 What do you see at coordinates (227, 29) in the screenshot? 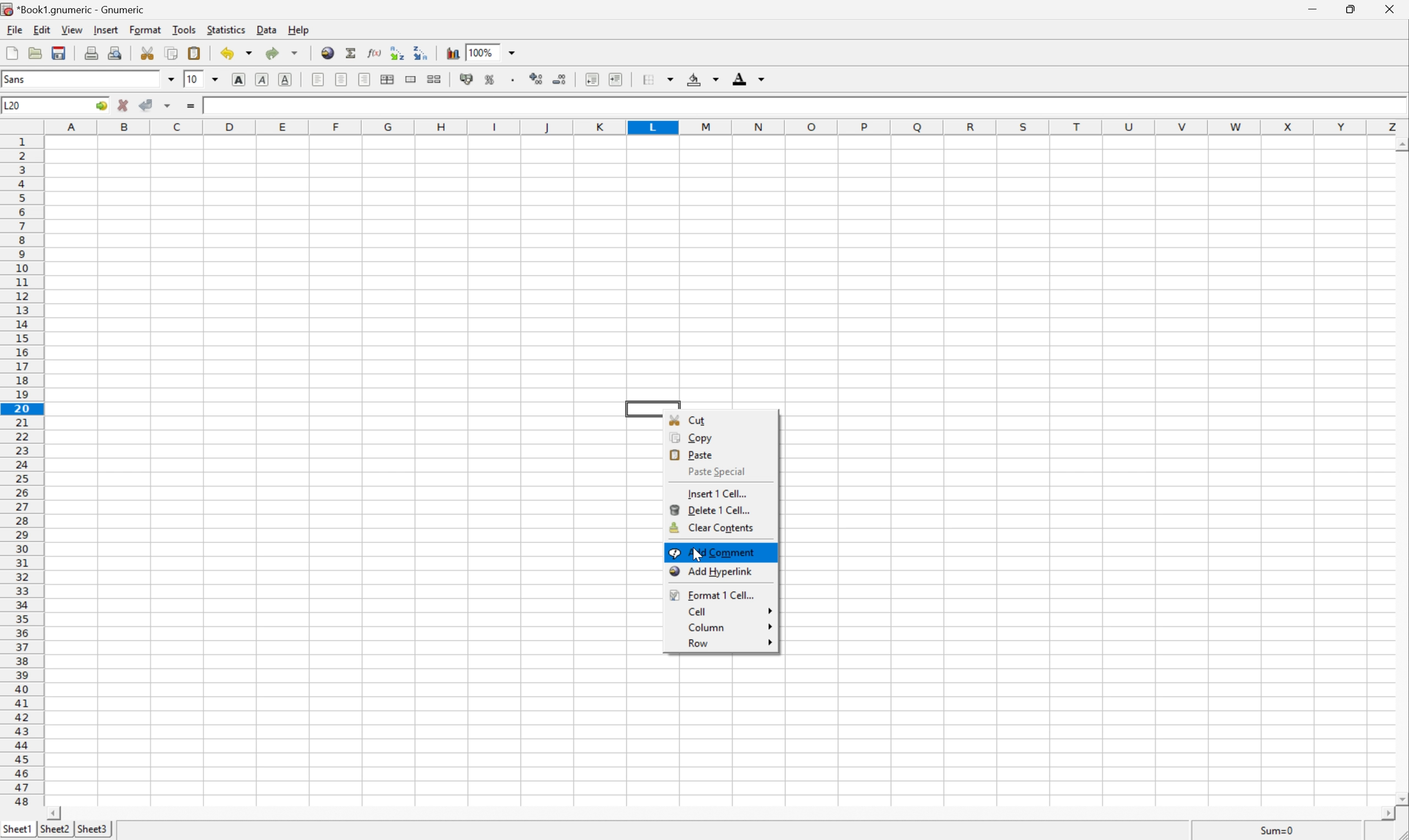
I see `Statistics` at bounding box center [227, 29].